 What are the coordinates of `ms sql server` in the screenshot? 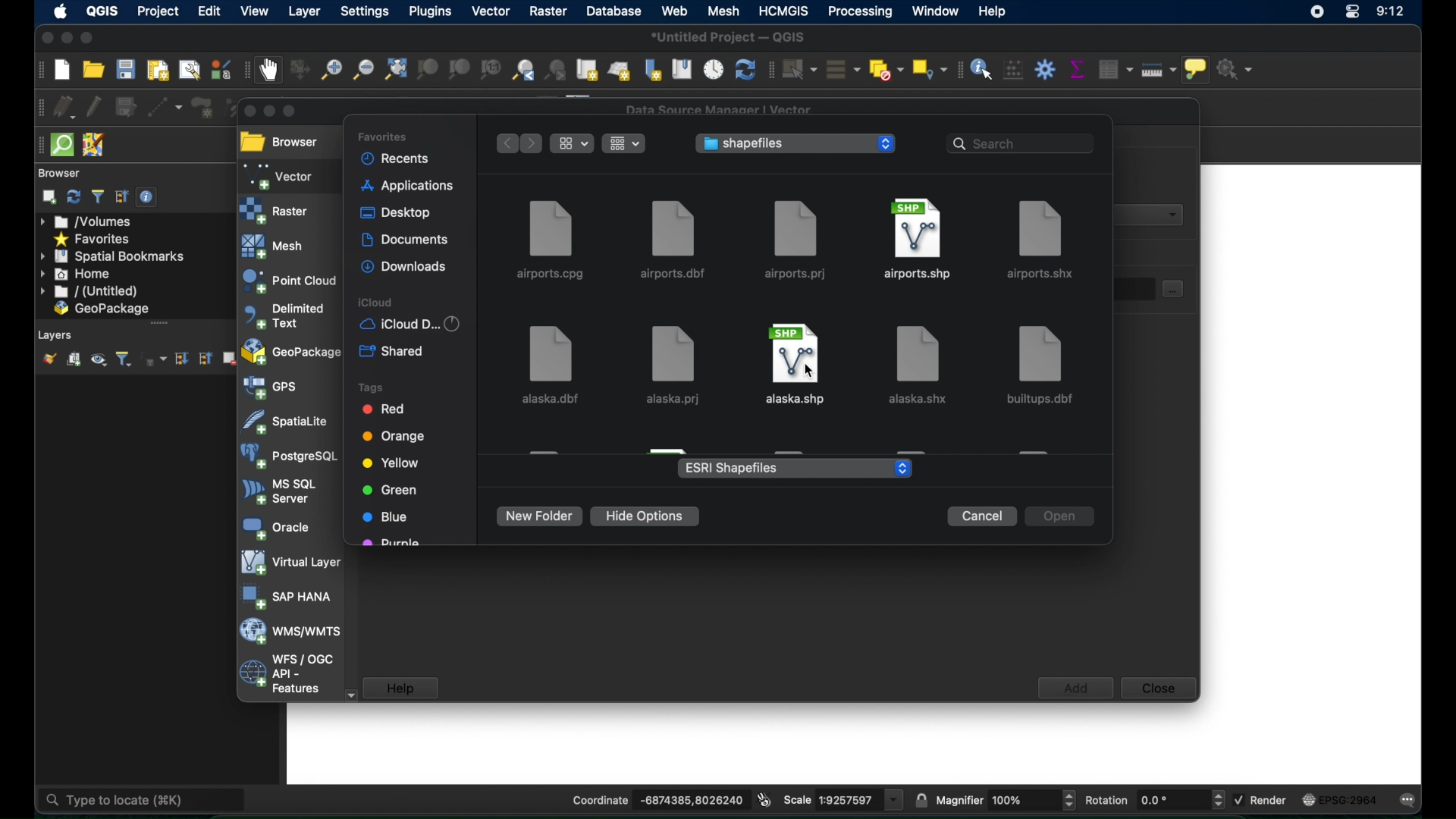 It's located at (279, 491).